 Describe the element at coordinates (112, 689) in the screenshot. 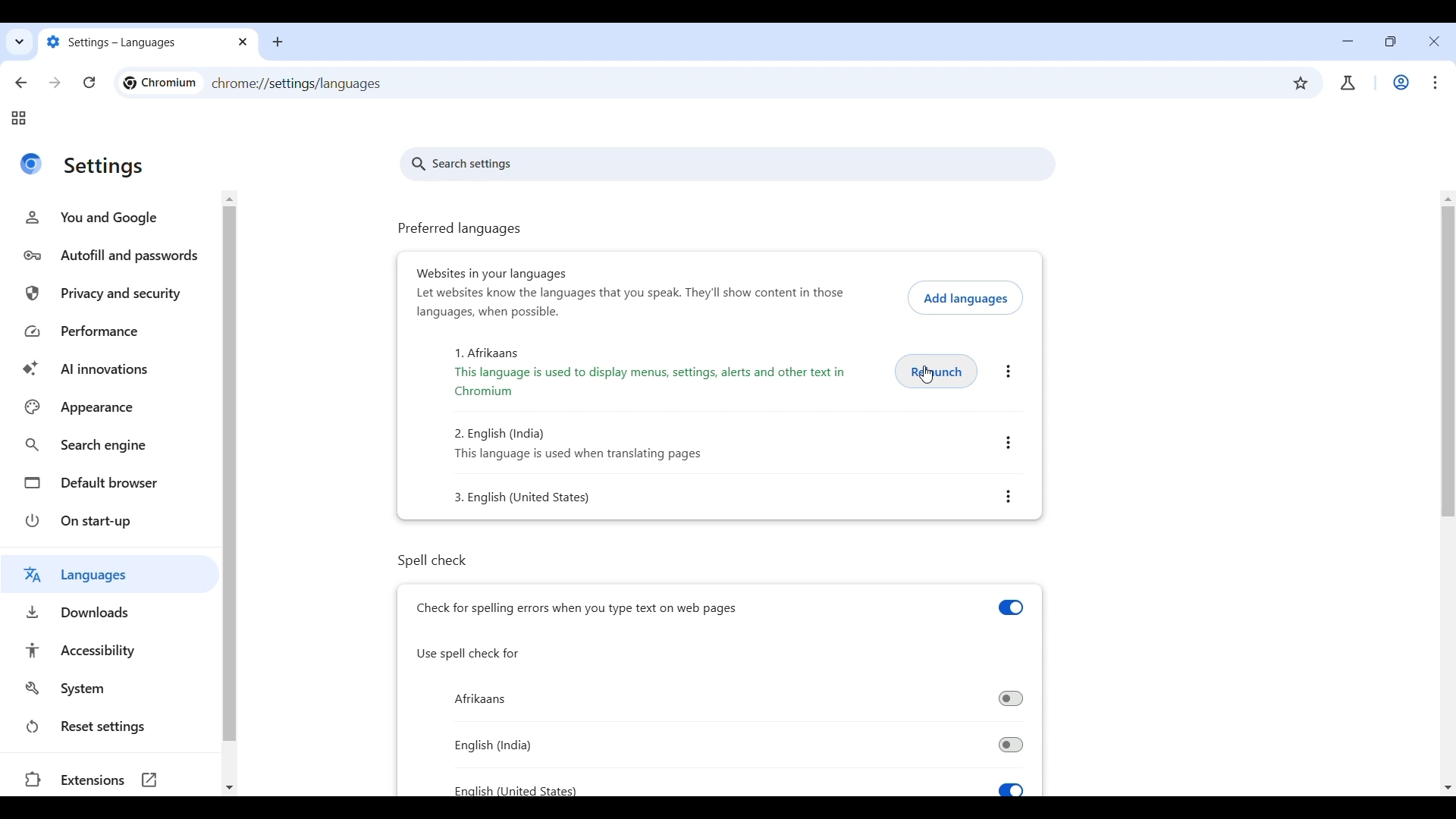

I see `System` at that location.